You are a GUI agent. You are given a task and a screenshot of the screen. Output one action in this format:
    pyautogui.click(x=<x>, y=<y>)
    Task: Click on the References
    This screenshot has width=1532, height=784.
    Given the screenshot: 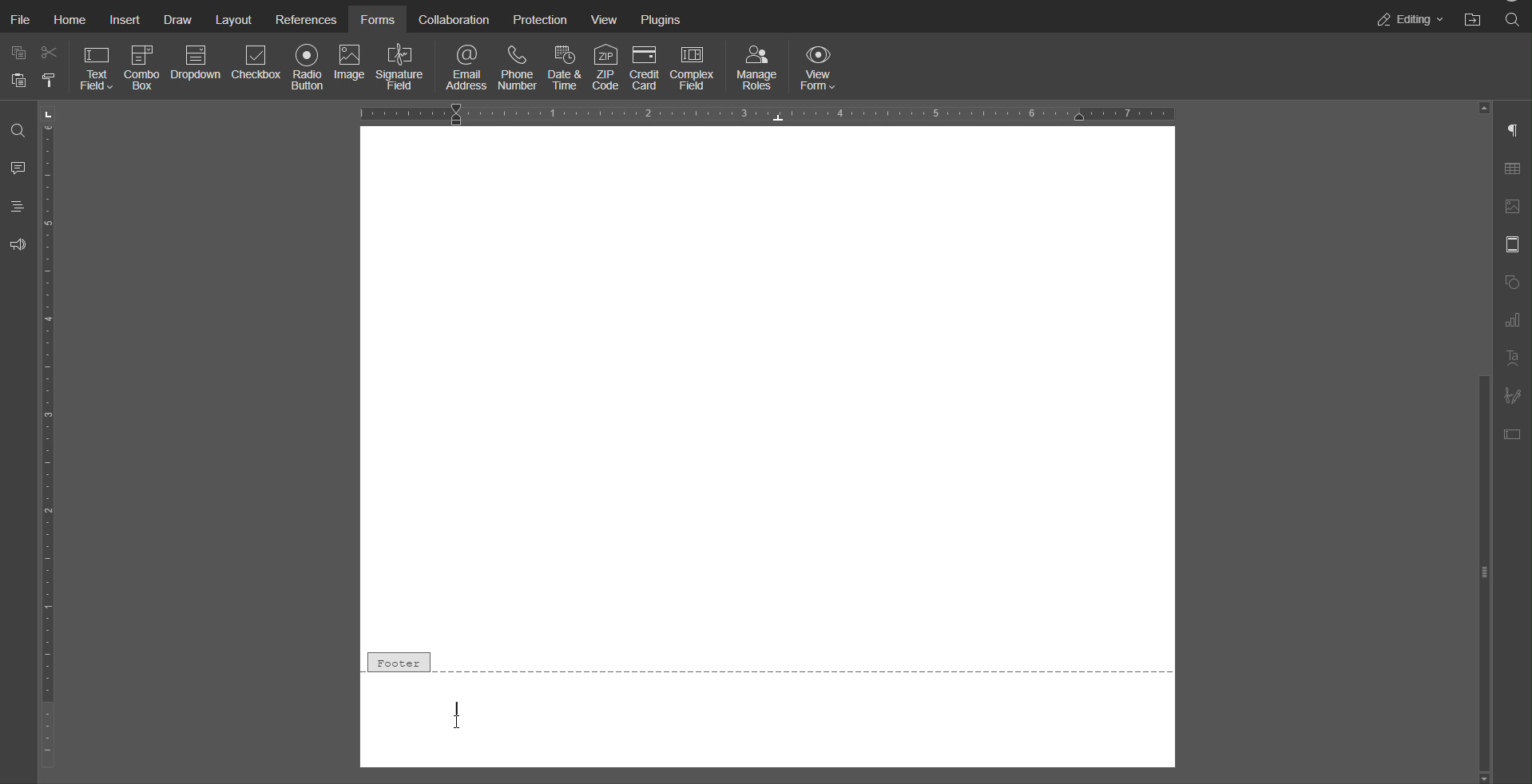 What is the action you would take?
    pyautogui.click(x=304, y=18)
    